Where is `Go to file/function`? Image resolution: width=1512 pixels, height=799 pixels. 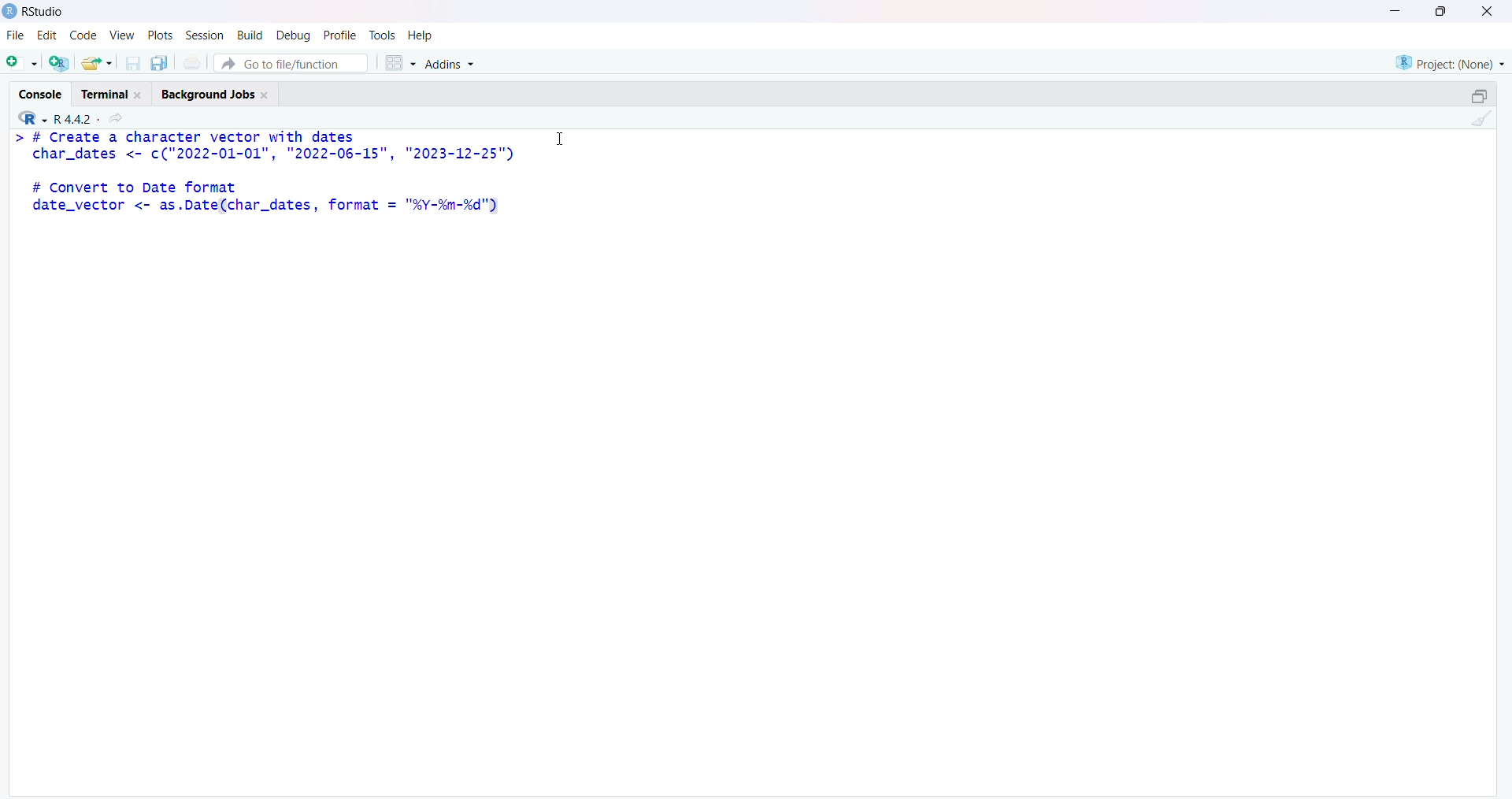
Go to file/function is located at coordinates (295, 61).